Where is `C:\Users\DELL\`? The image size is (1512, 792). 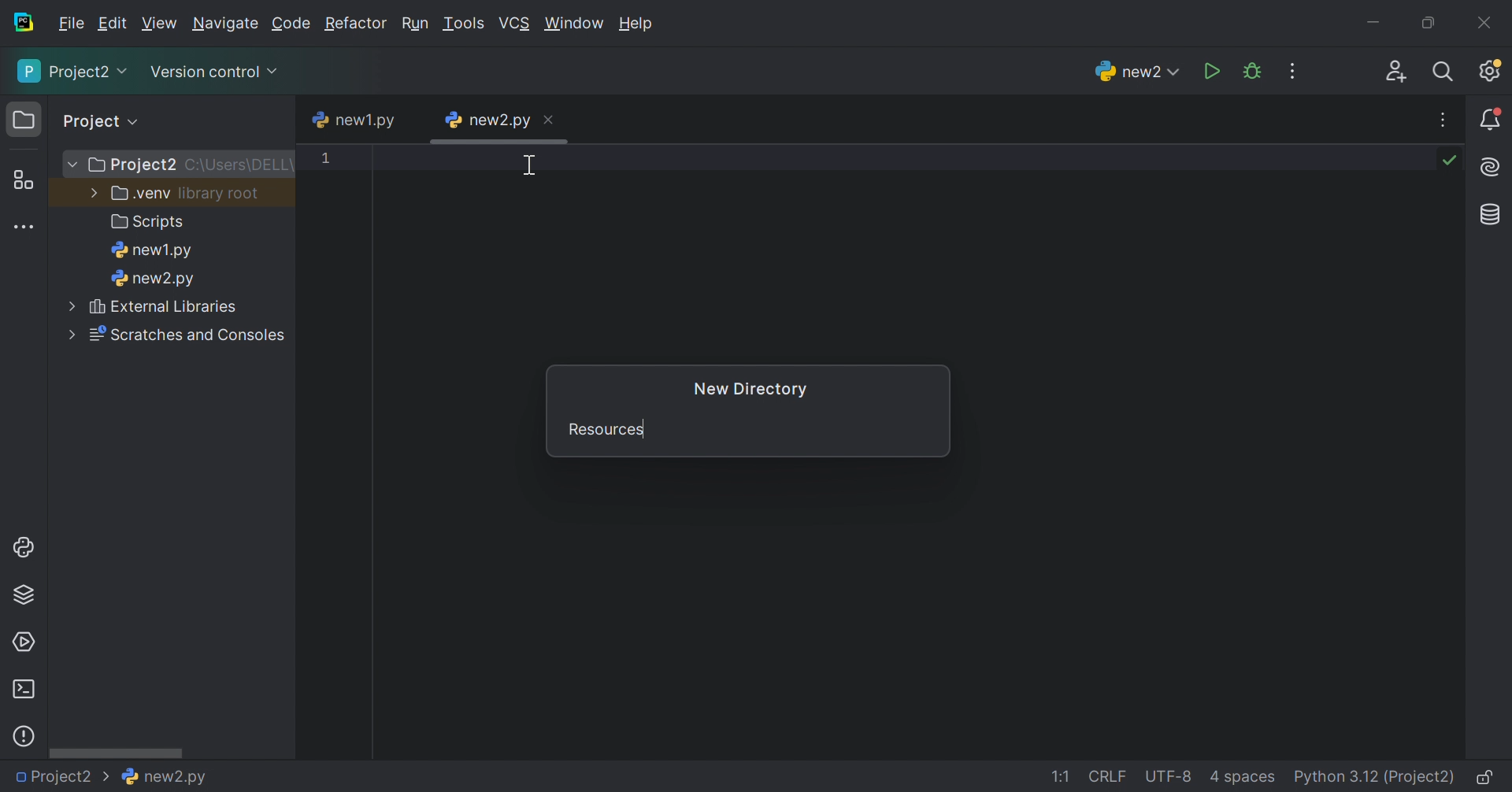 C:\Users\DELL\ is located at coordinates (241, 165).